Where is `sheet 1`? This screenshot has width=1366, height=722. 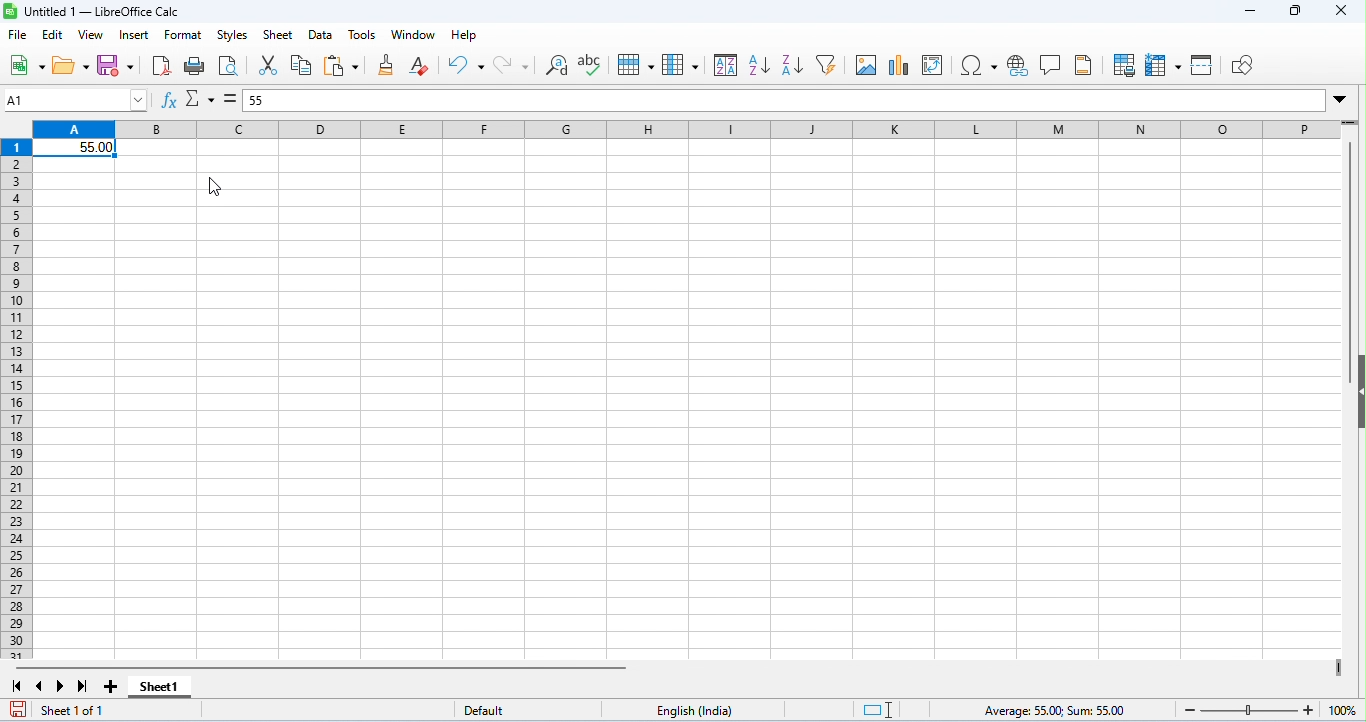
sheet 1 is located at coordinates (162, 686).